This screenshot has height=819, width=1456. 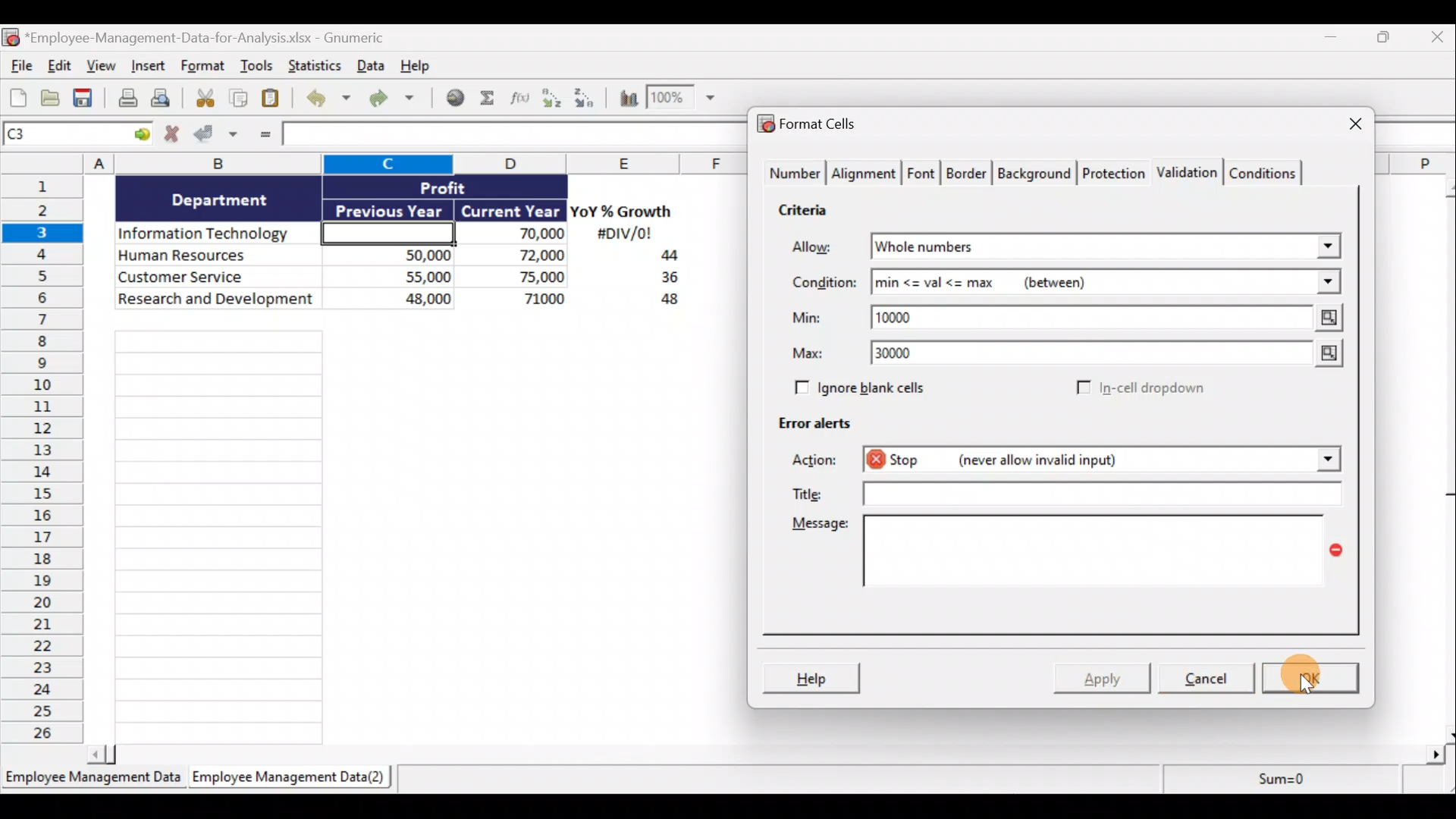 What do you see at coordinates (286, 780) in the screenshot?
I see `Employee Management Data(2)` at bounding box center [286, 780].